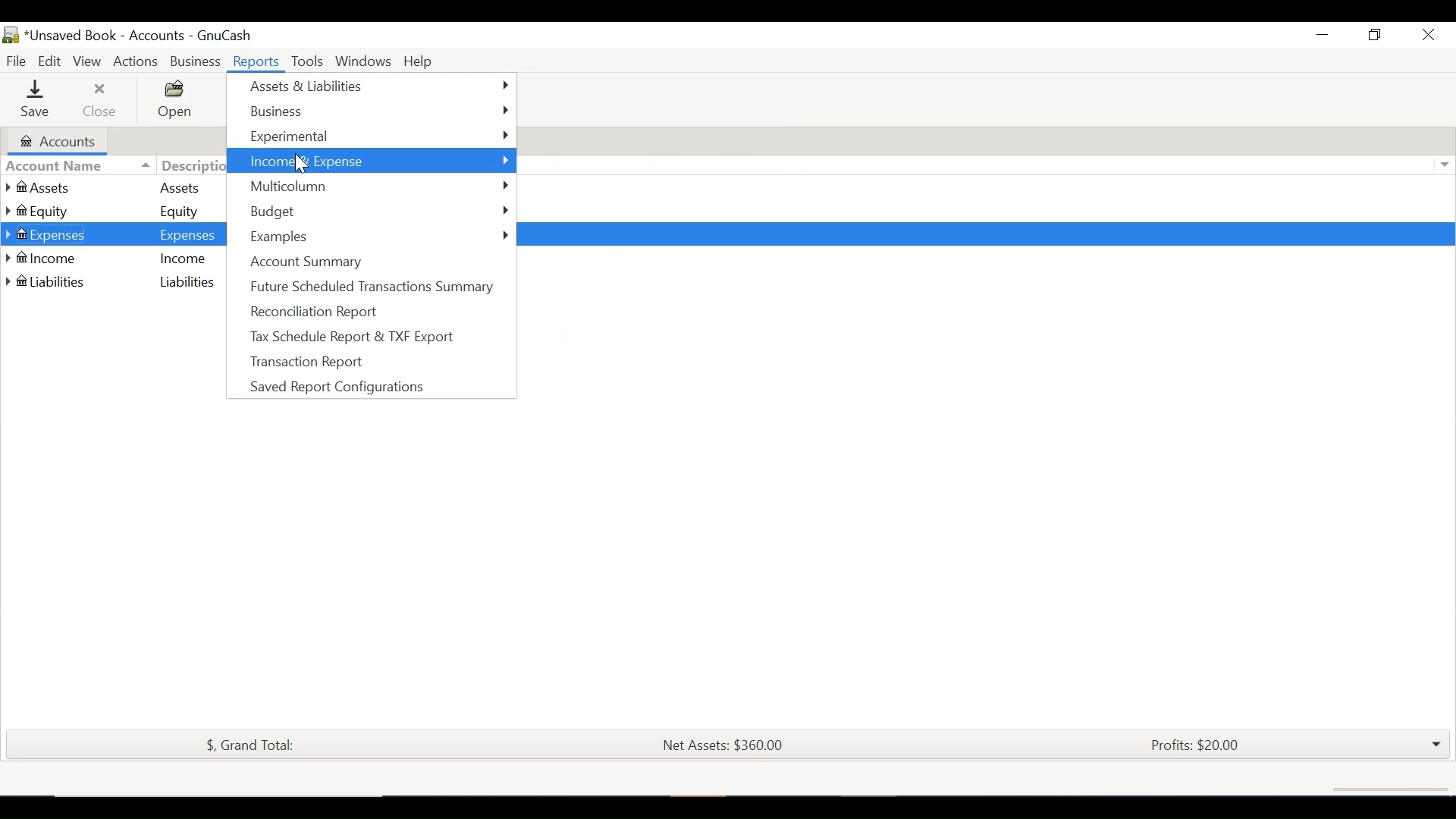  Describe the element at coordinates (254, 60) in the screenshot. I see `Reports` at that location.